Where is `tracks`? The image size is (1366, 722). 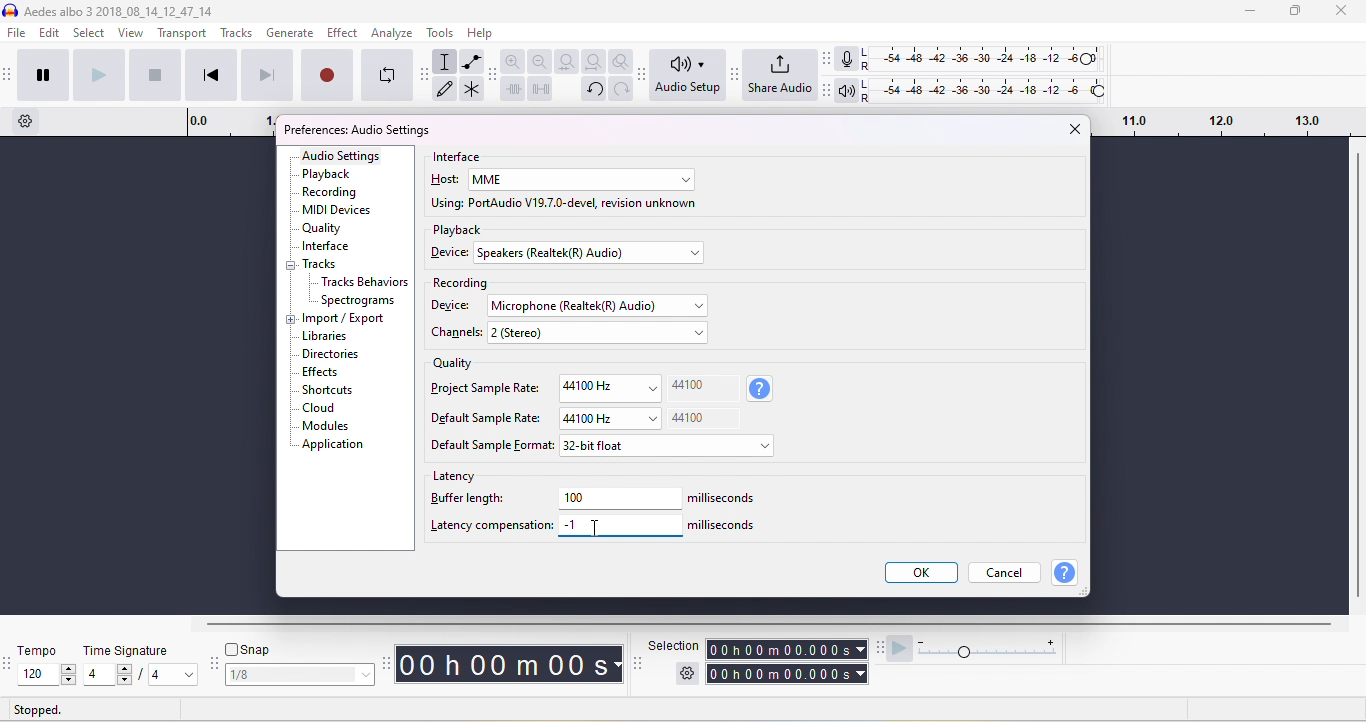
tracks is located at coordinates (236, 33).